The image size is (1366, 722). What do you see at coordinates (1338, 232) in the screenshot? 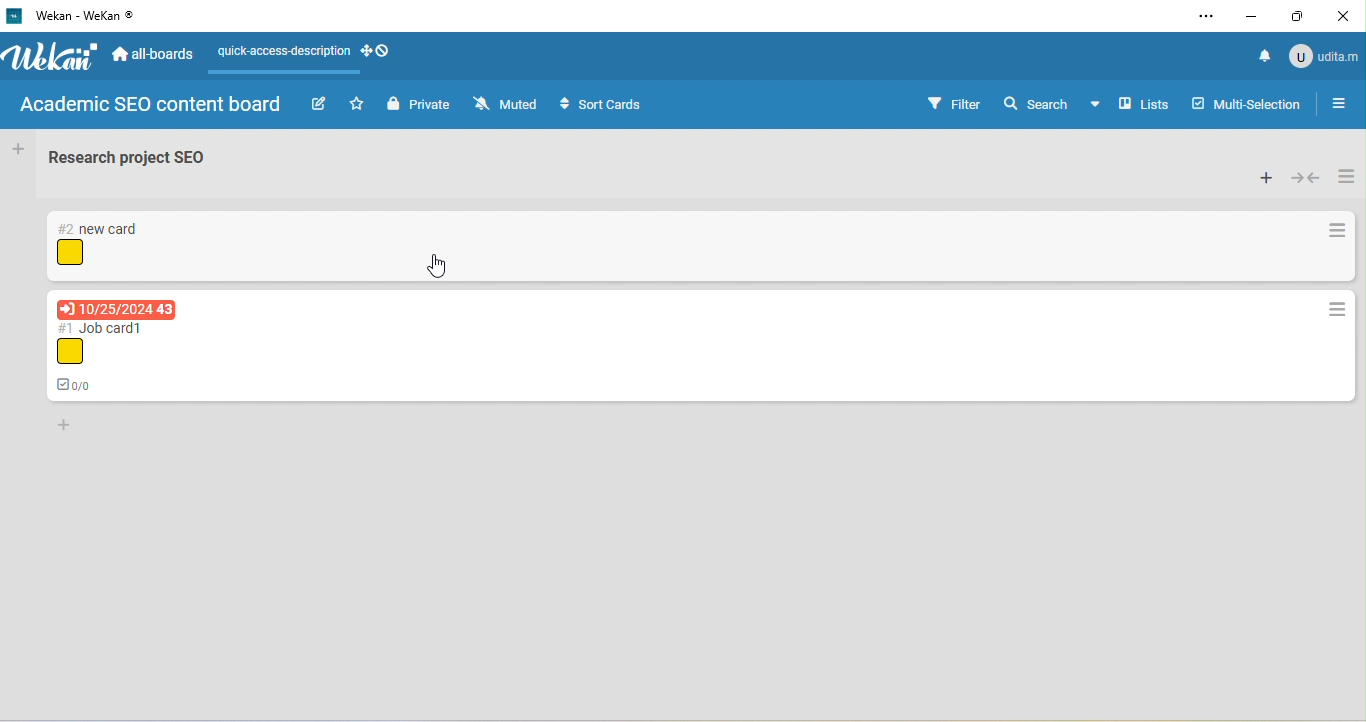
I see `card actions` at bounding box center [1338, 232].